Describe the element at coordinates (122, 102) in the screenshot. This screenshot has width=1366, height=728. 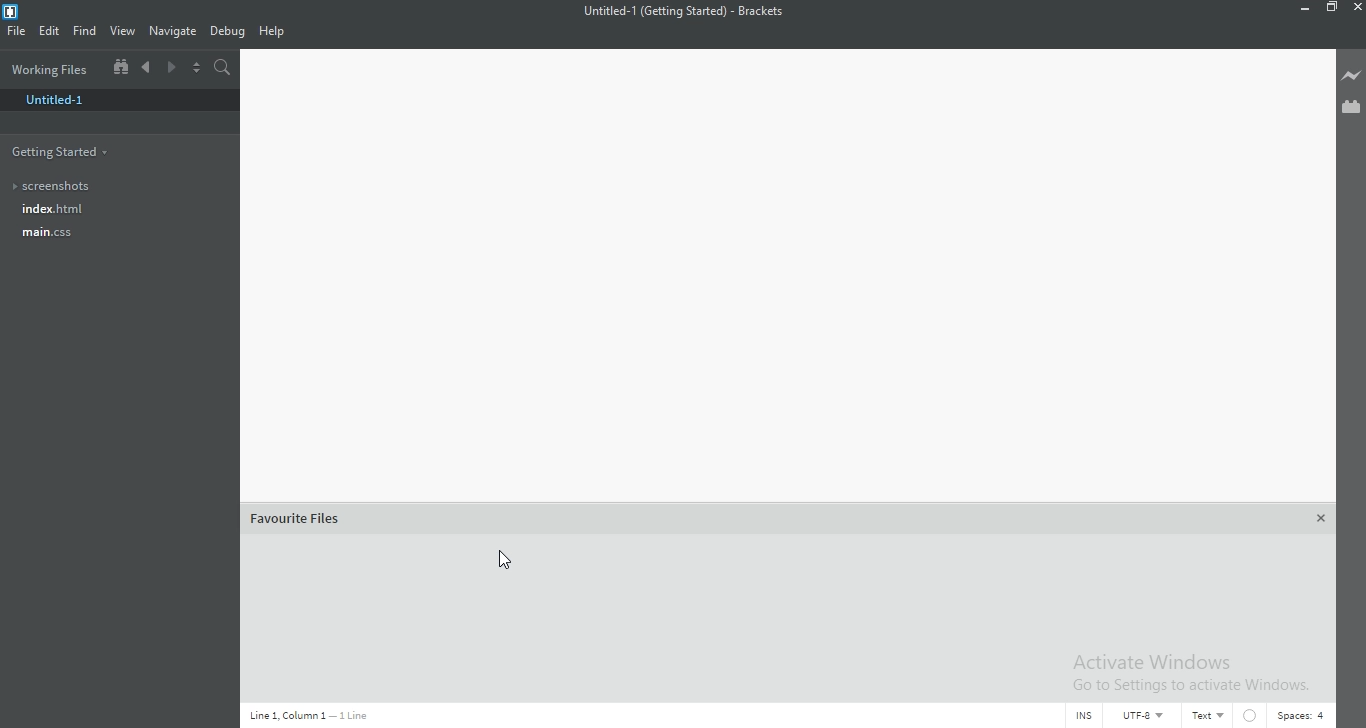
I see `untitled` at that location.